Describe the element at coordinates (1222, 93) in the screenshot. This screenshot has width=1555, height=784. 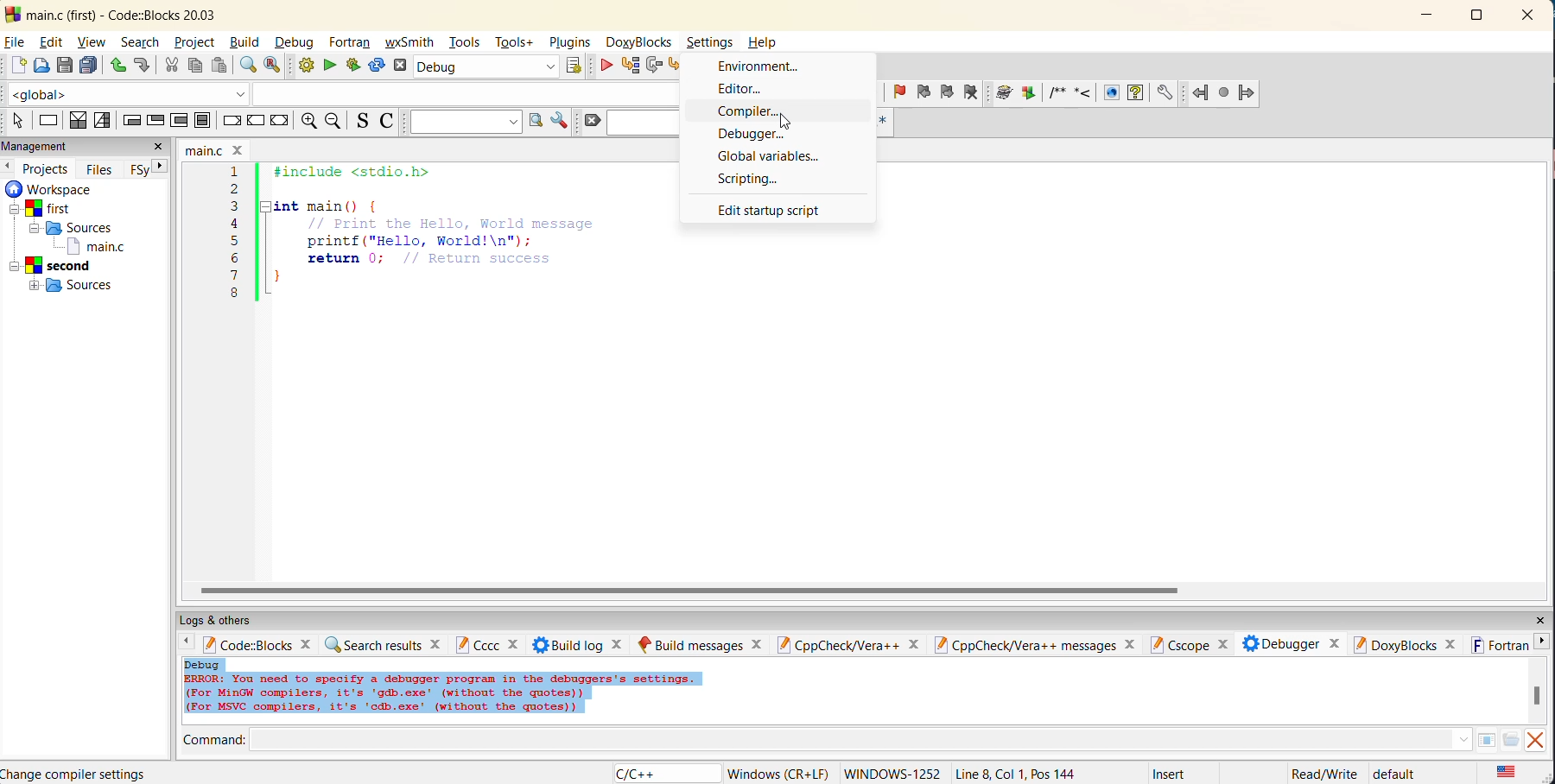
I see `Last jump` at that location.